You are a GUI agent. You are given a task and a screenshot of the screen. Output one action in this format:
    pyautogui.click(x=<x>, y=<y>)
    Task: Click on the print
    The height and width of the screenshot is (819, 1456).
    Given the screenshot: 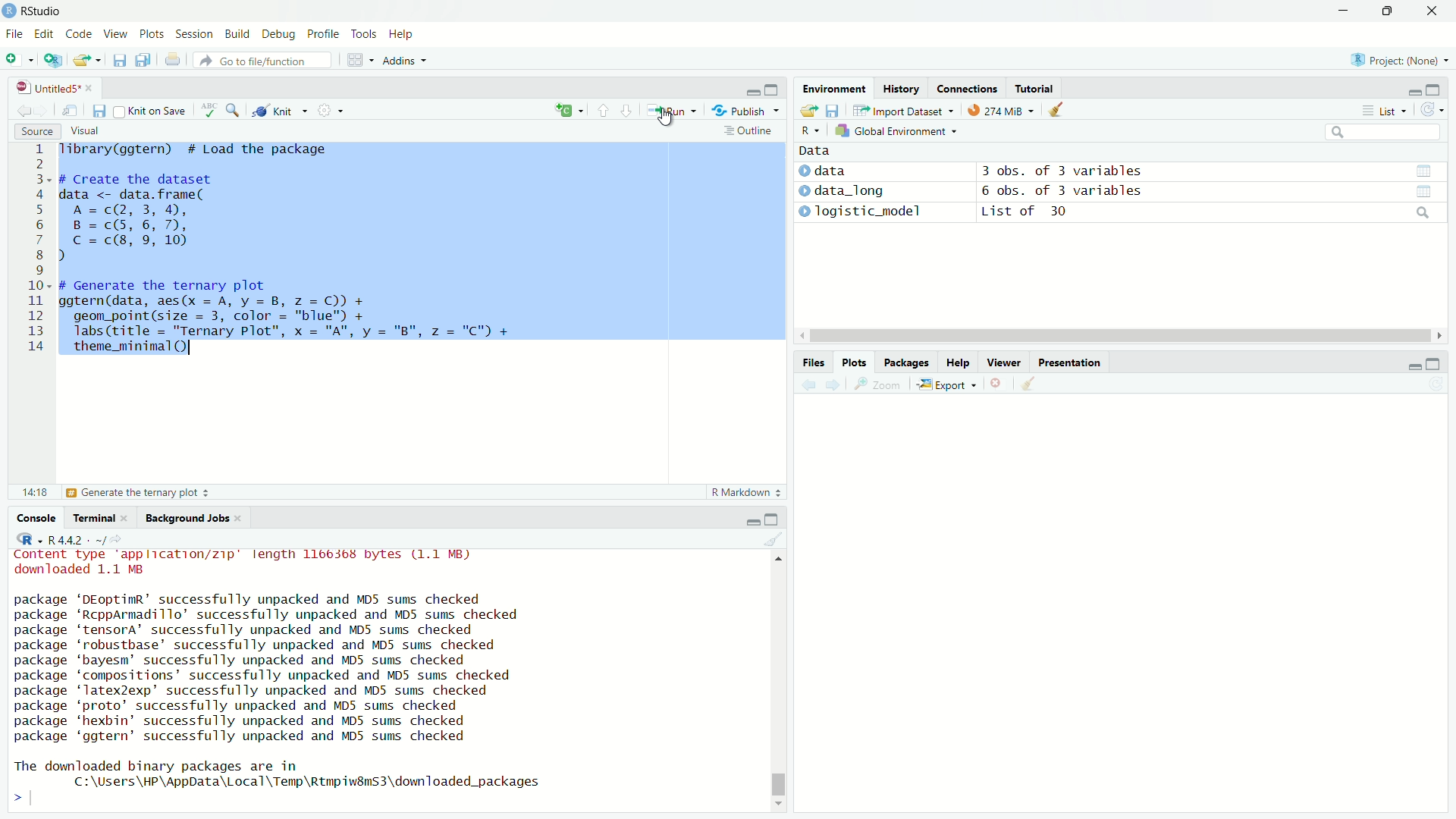 What is the action you would take?
    pyautogui.click(x=176, y=63)
    